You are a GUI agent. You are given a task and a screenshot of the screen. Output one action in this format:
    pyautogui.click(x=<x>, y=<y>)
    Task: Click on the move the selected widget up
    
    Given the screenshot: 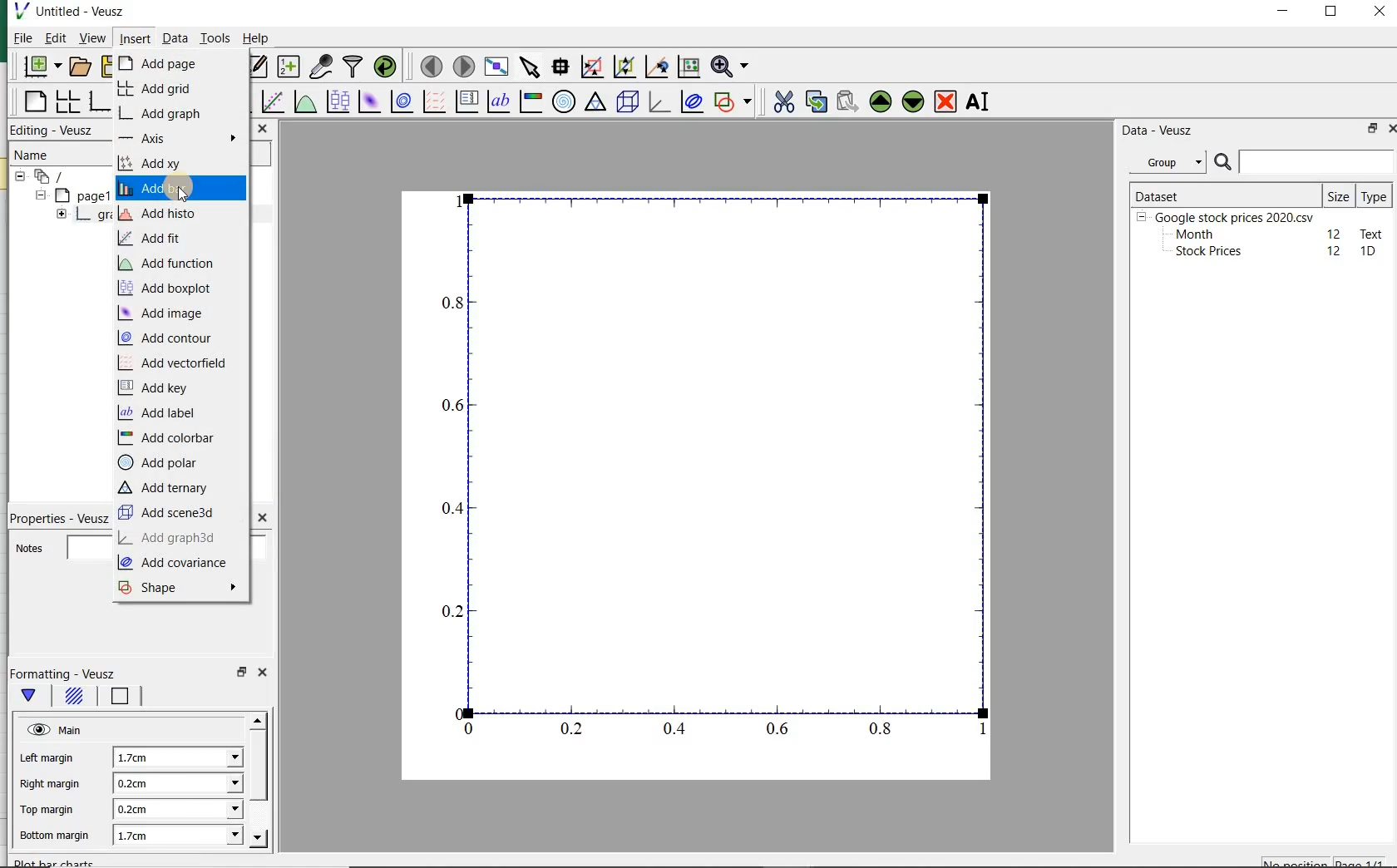 What is the action you would take?
    pyautogui.click(x=881, y=101)
    